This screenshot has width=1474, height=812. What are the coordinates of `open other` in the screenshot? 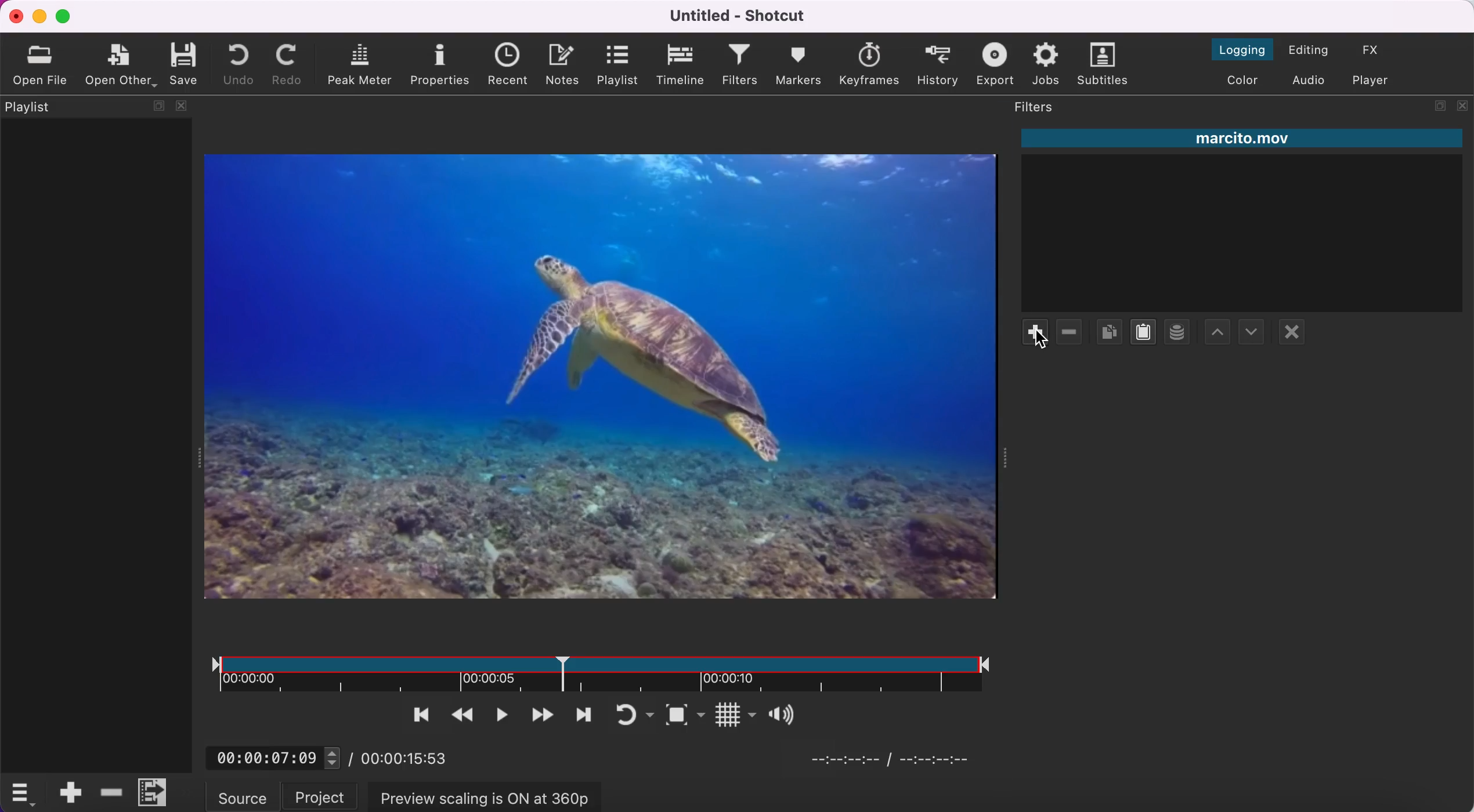 It's located at (121, 65).